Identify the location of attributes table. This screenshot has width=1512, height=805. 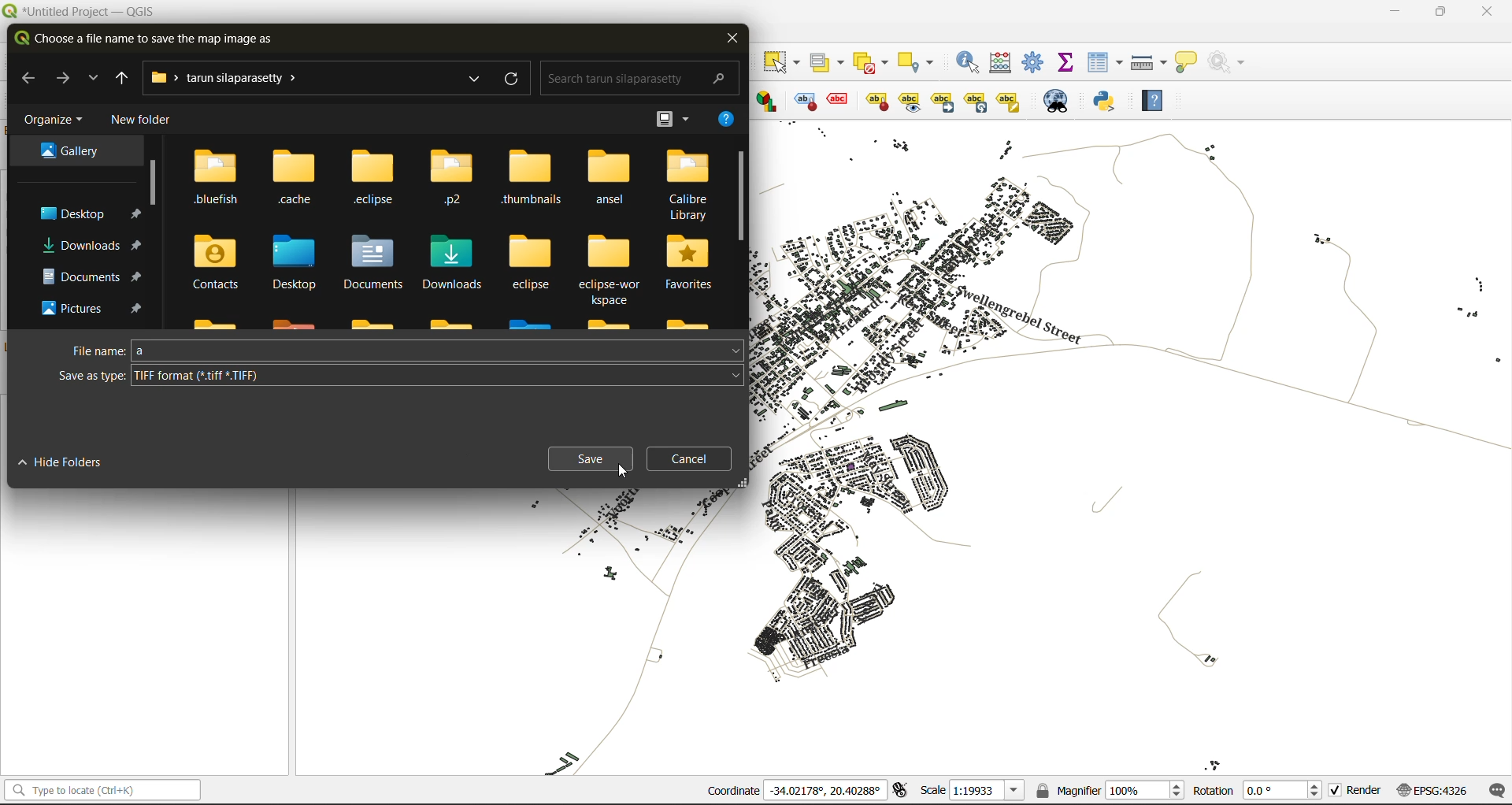
(1106, 63).